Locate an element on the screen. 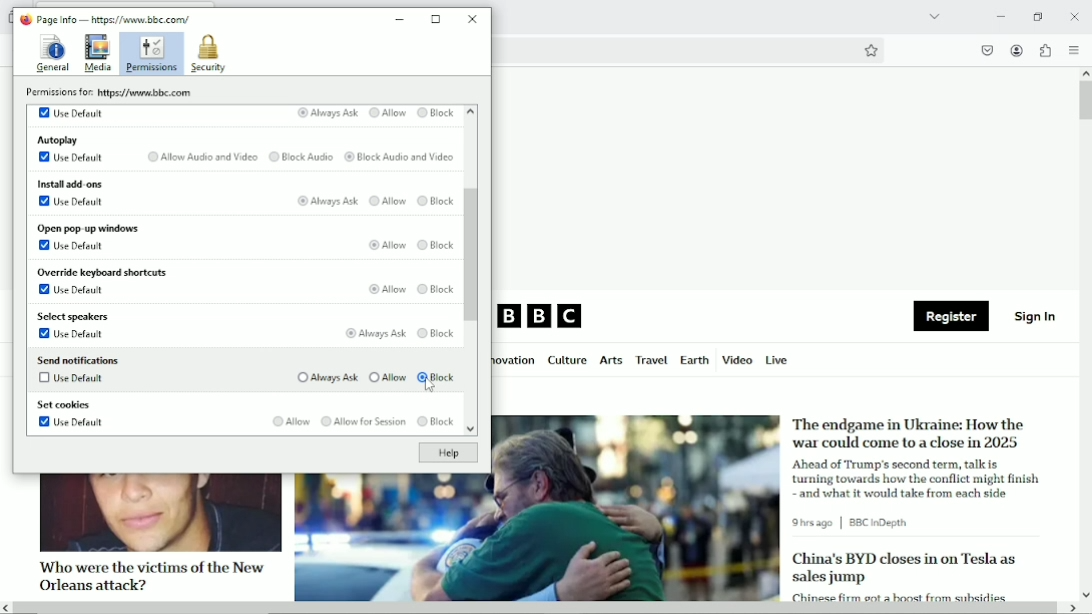 Image resolution: width=1092 pixels, height=614 pixels. Vertical scrollbar is located at coordinates (473, 255).